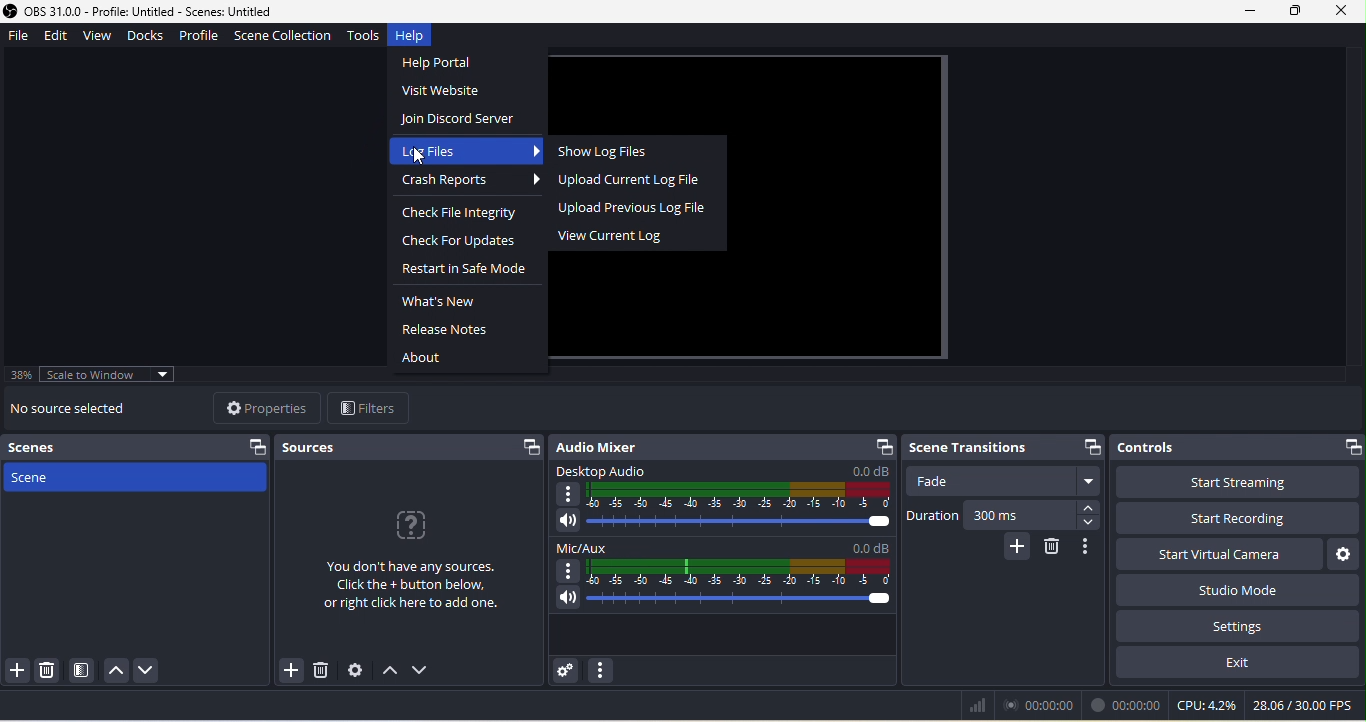 The width and height of the screenshot is (1366, 722). I want to click on volume, so click(719, 524).